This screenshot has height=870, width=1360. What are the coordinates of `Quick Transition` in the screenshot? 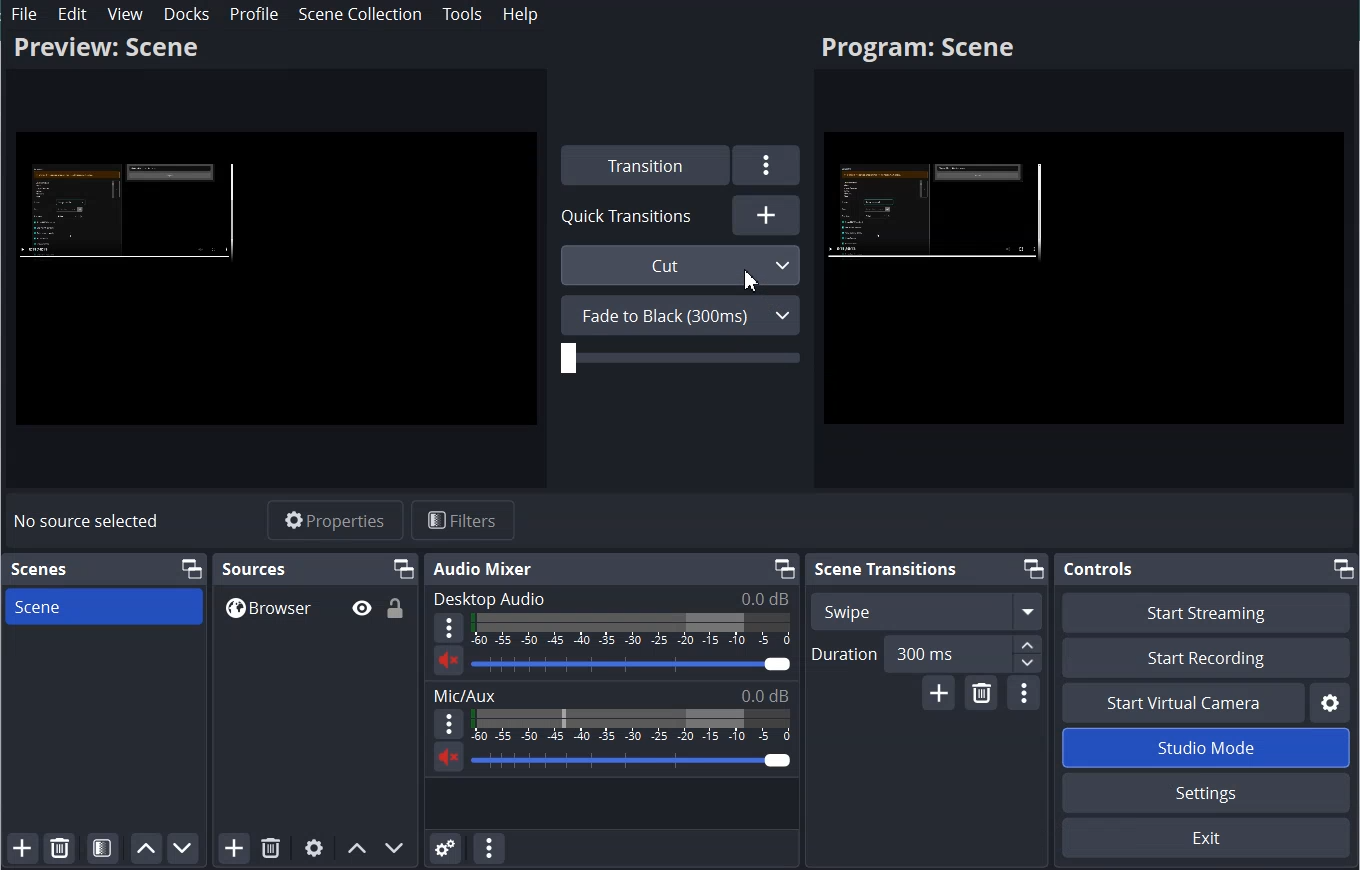 It's located at (633, 215).